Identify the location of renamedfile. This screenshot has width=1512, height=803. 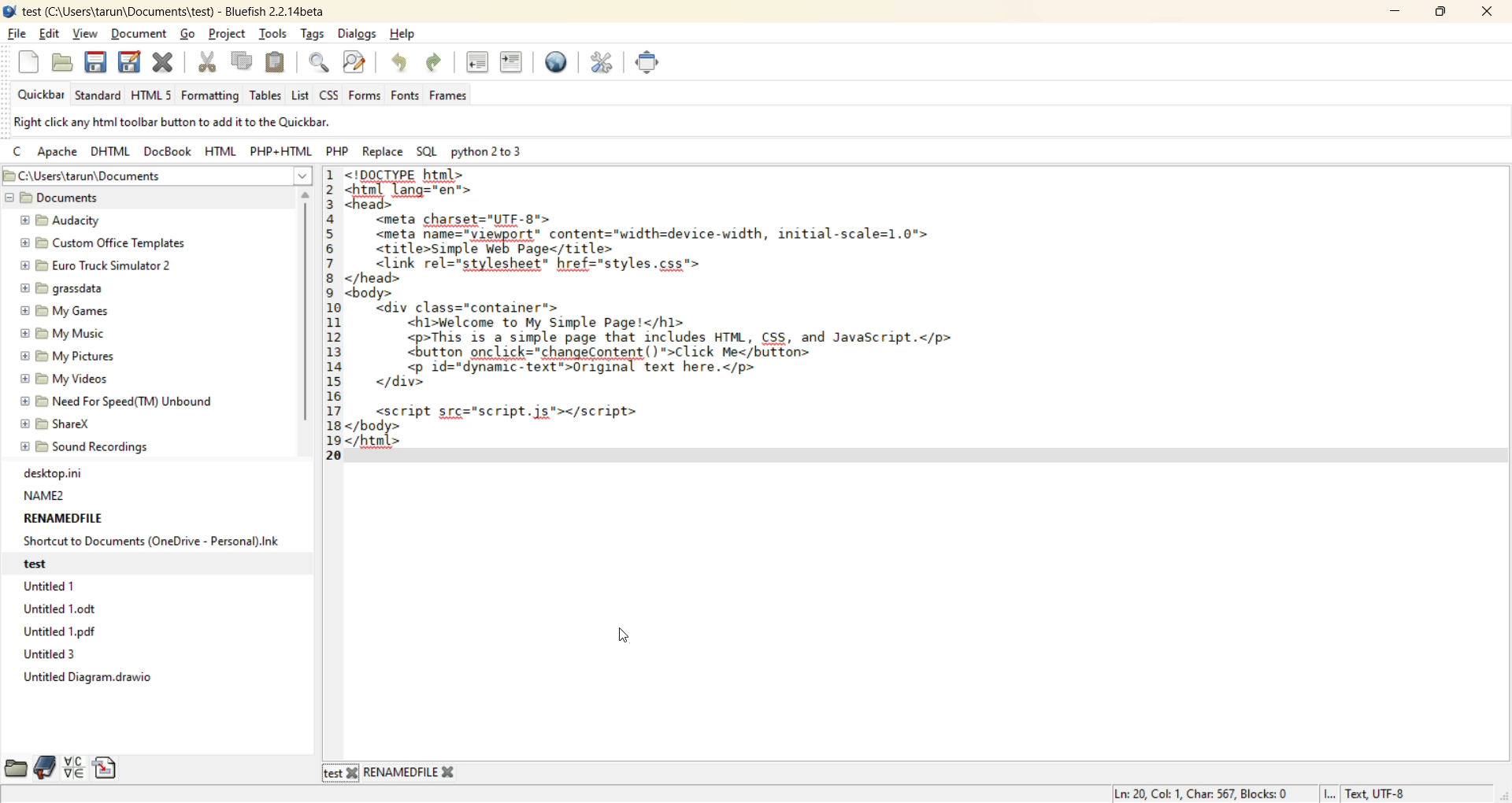
(401, 772).